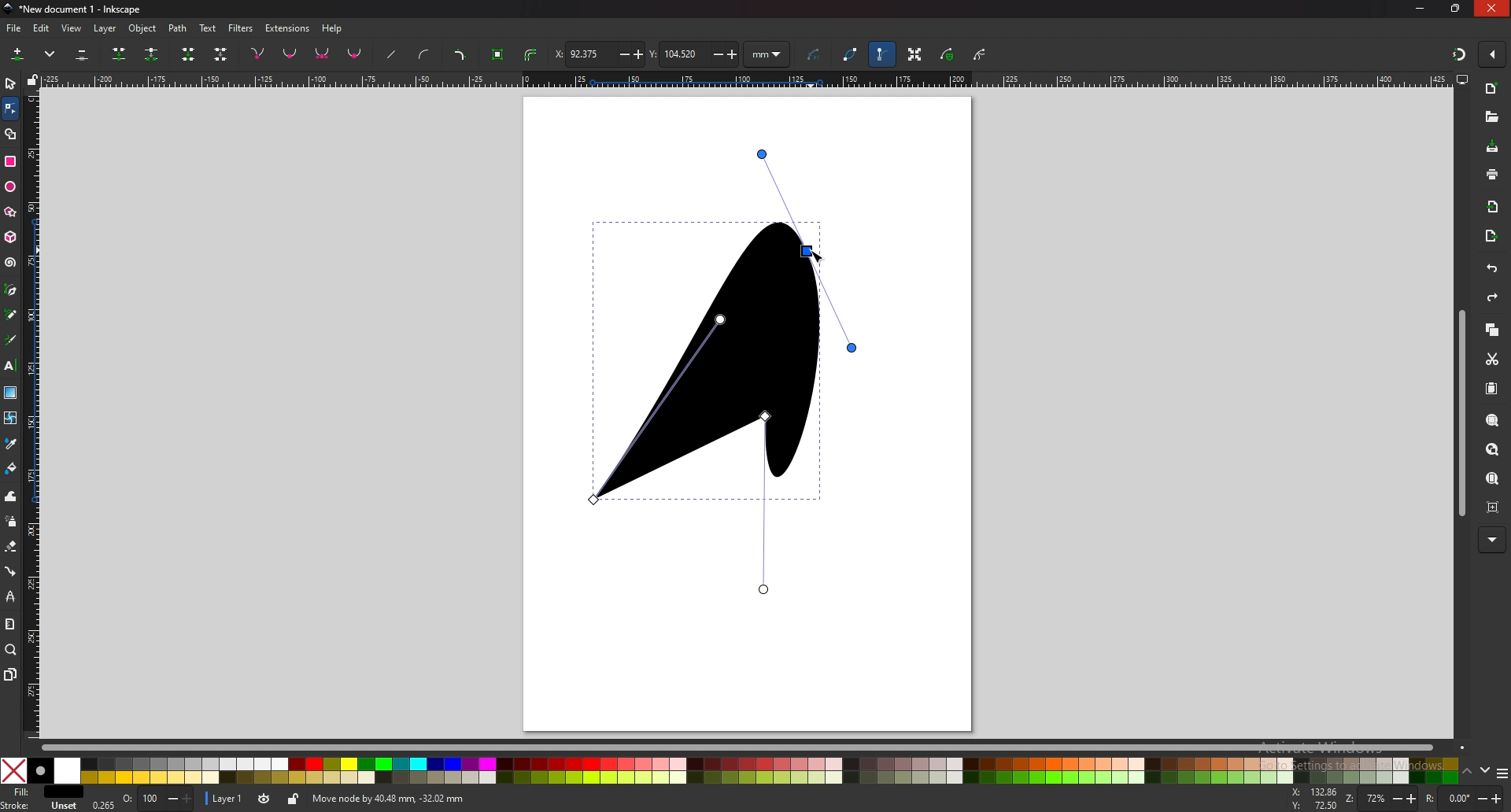 The height and width of the screenshot is (812, 1511). I want to click on filters, so click(241, 28).